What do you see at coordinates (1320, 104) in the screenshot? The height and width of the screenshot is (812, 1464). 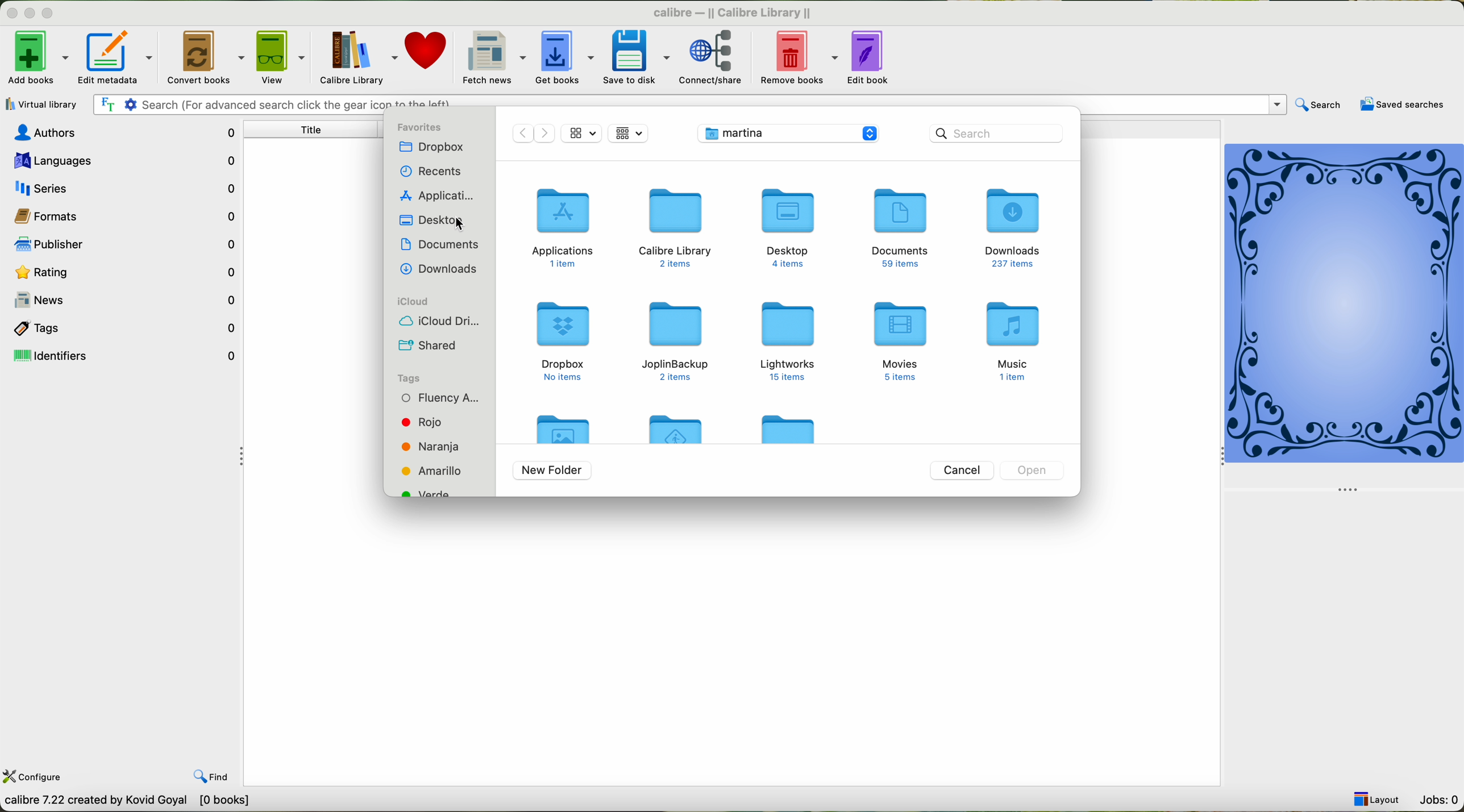 I see `search` at bounding box center [1320, 104].